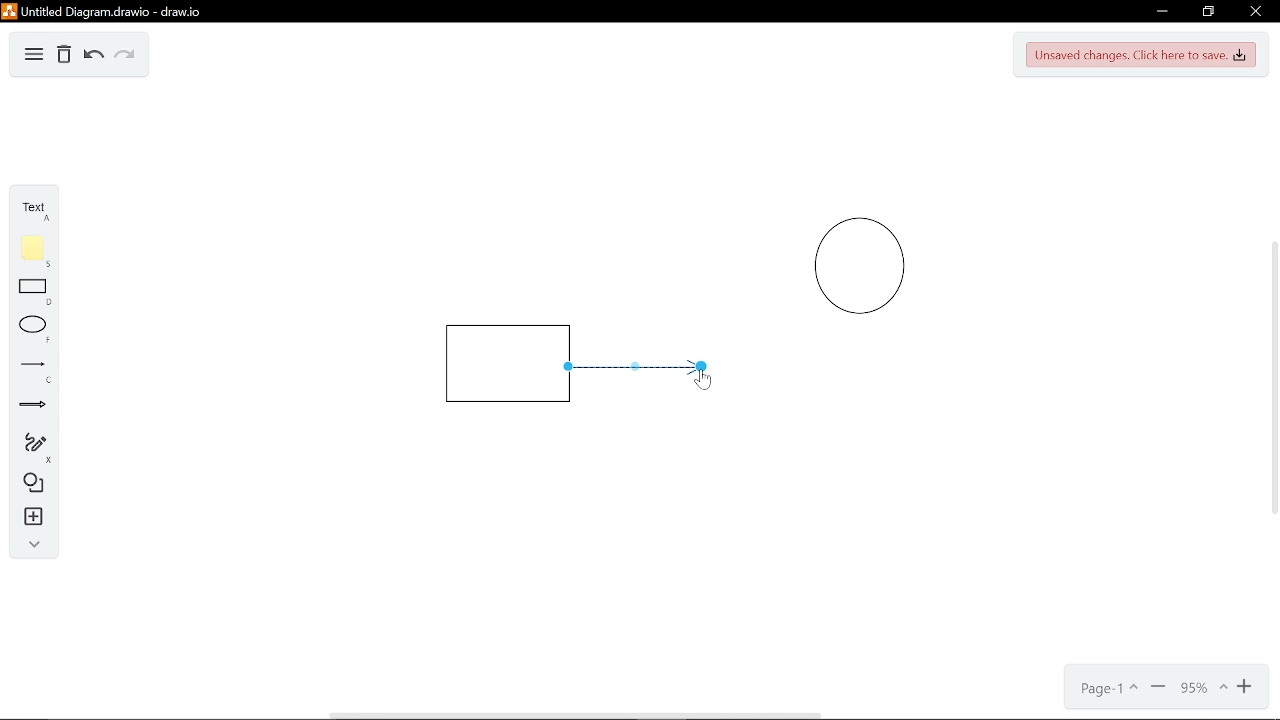  What do you see at coordinates (1159, 689) in the screenshot?
I see `Minimize` at bounding box center [1159, 689].